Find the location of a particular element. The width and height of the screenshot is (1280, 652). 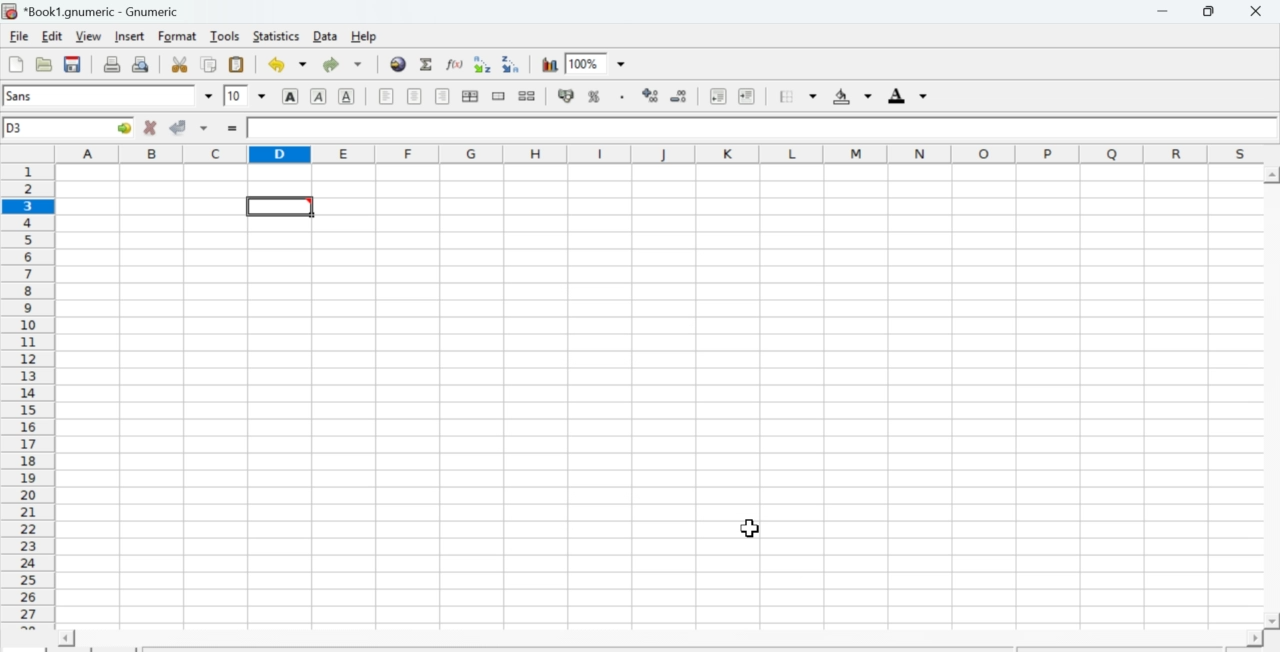

Create new workbook is located at coordinates (13, 65).